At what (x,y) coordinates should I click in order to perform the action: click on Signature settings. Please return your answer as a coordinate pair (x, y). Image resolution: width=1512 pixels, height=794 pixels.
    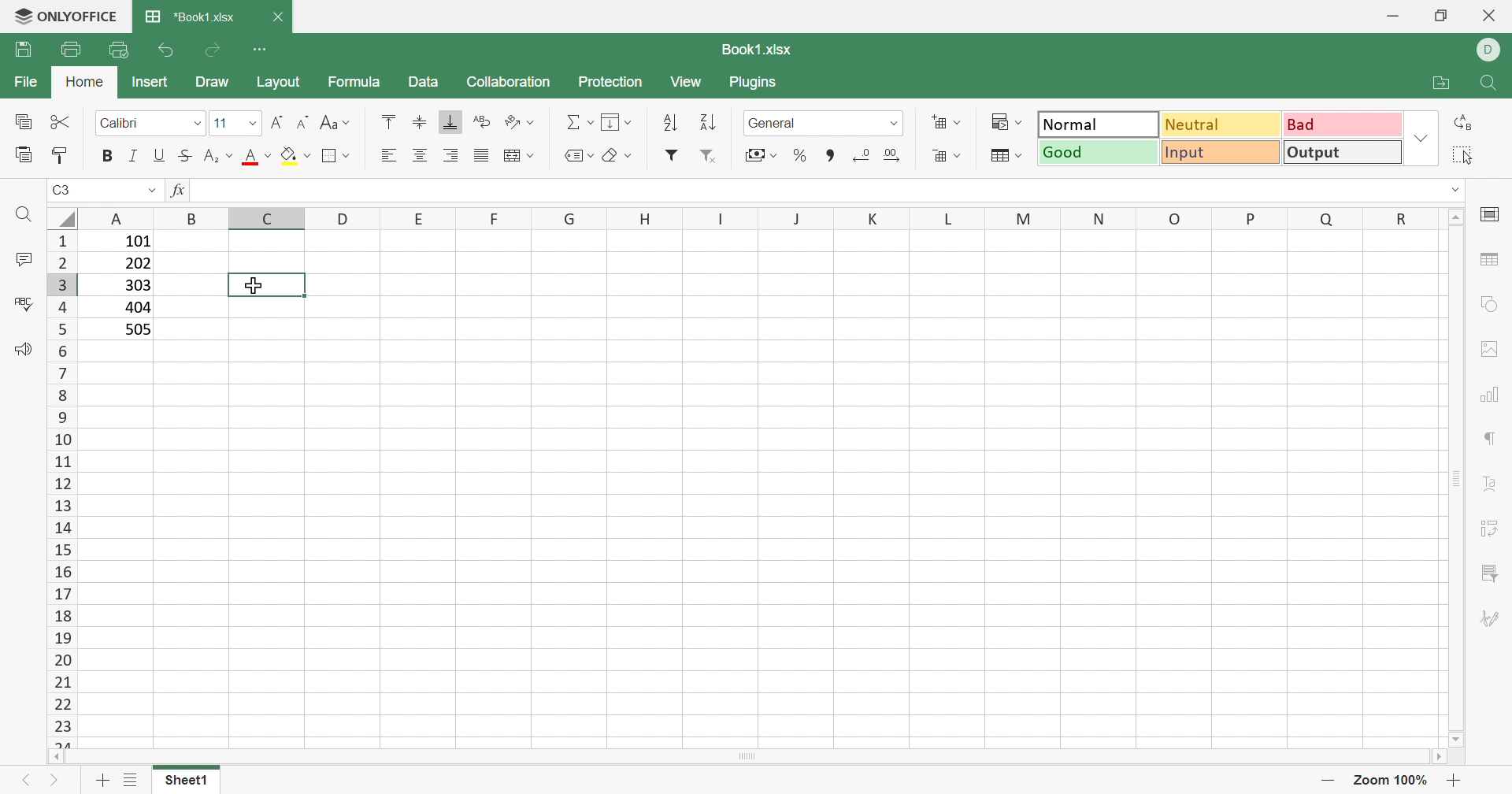
    Looking at the image, I should click on (1495, 617).